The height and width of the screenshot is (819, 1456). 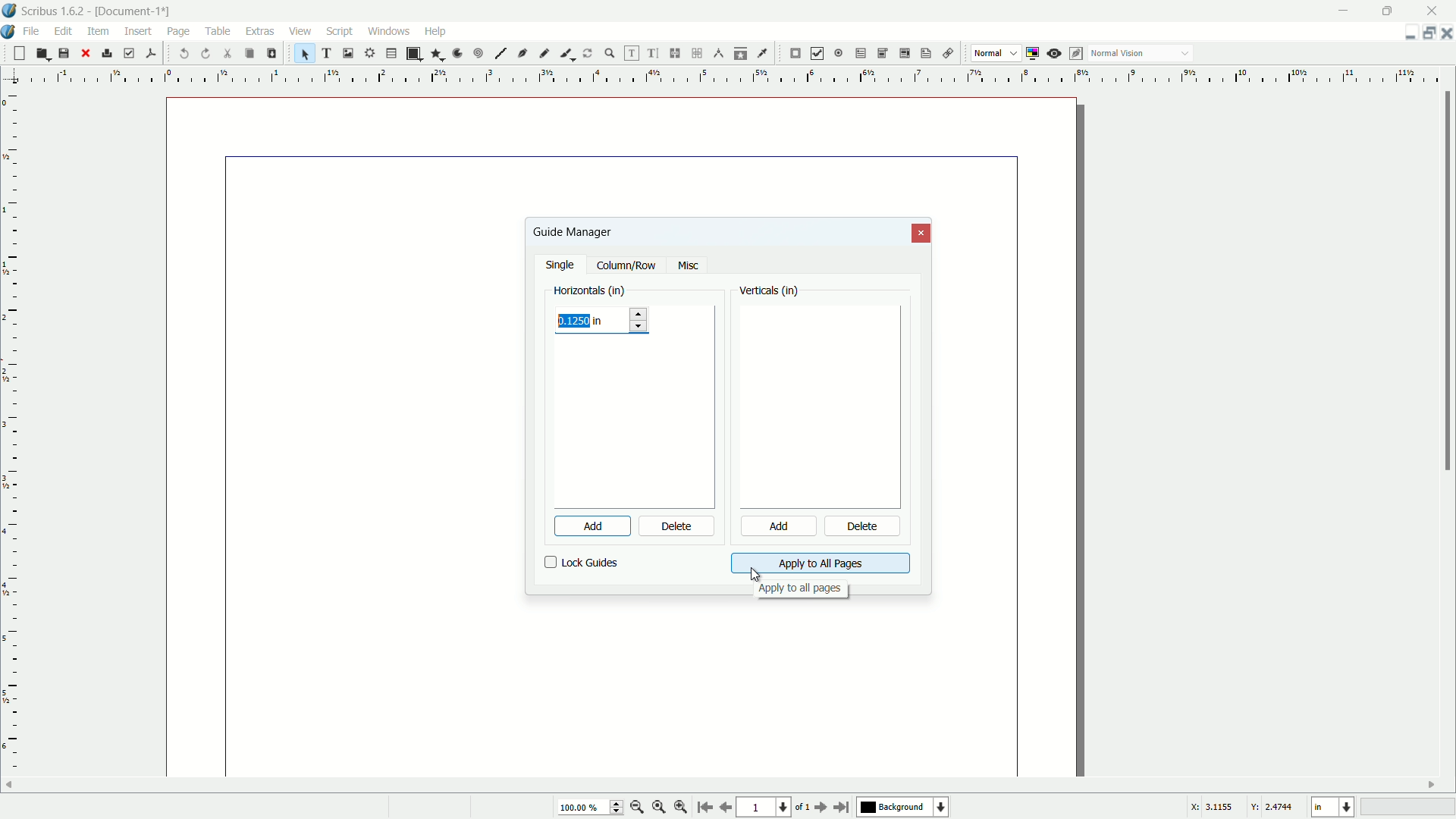 I want to click on go to start page, so click(x=703, y=808).